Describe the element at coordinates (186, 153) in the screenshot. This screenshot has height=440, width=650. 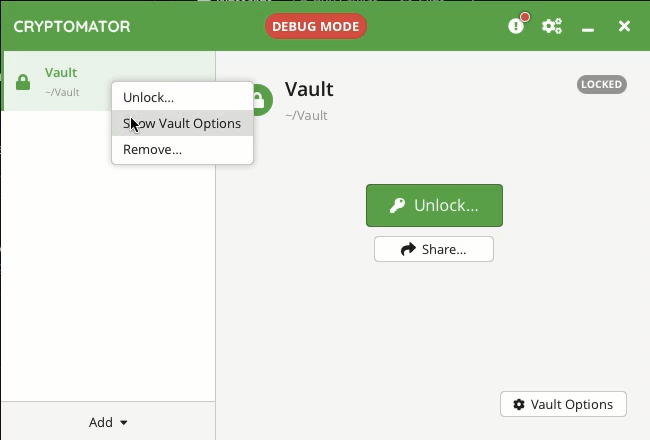
I see `Remove...` at that location.